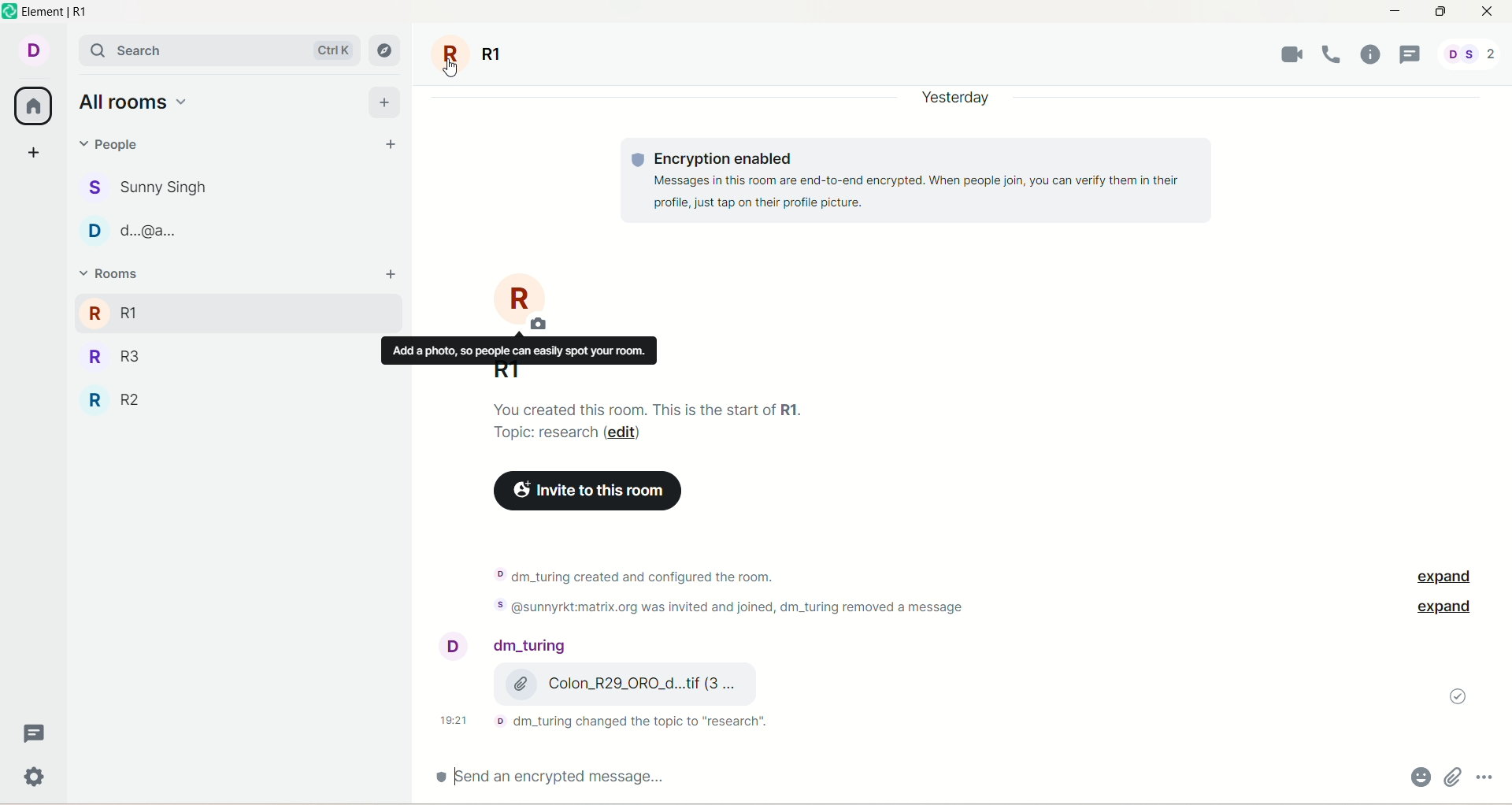  I want to click on voice call, so click(1332, 55).